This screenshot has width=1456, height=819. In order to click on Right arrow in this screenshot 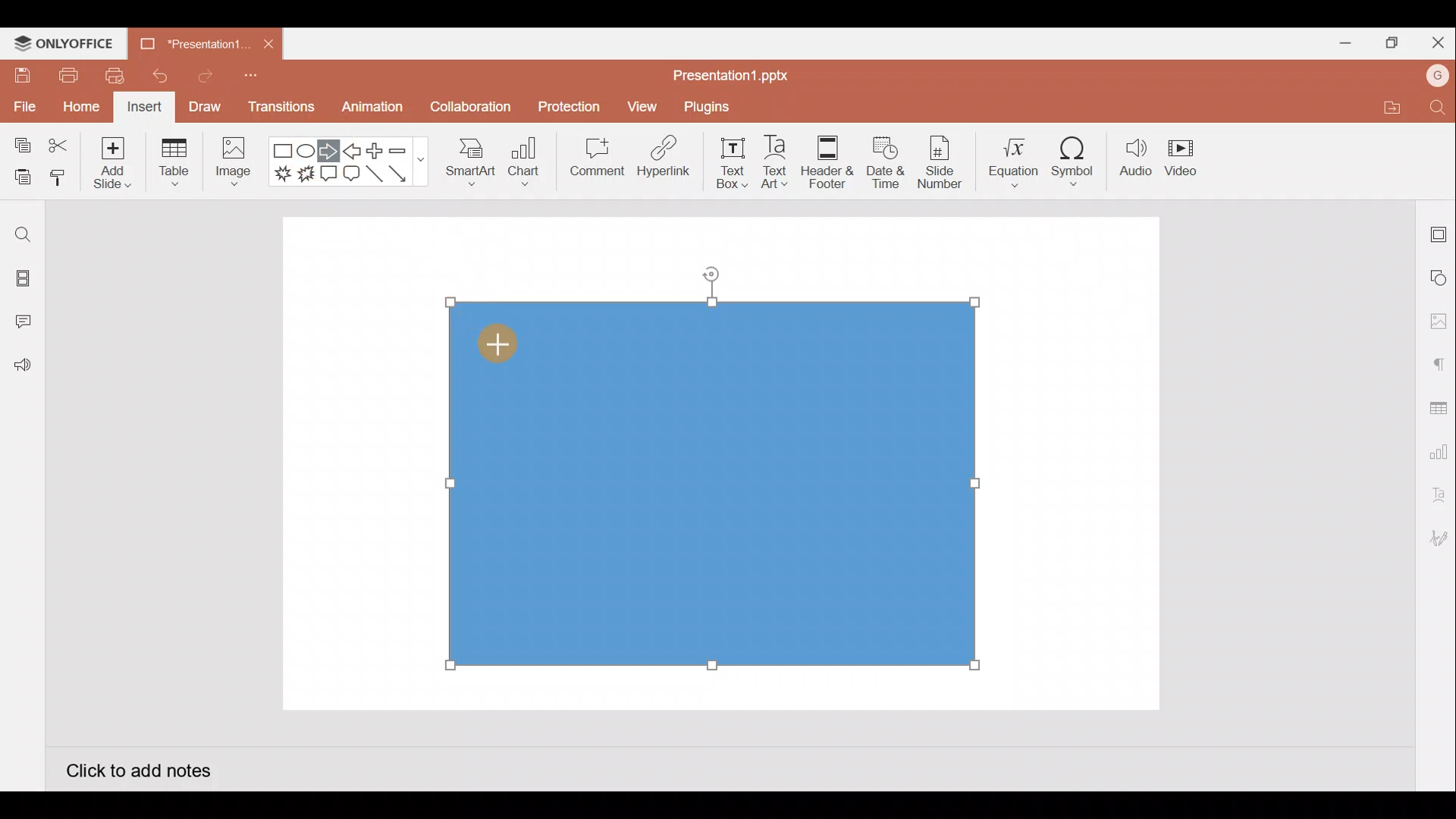, I will do `click(328, 152)`.